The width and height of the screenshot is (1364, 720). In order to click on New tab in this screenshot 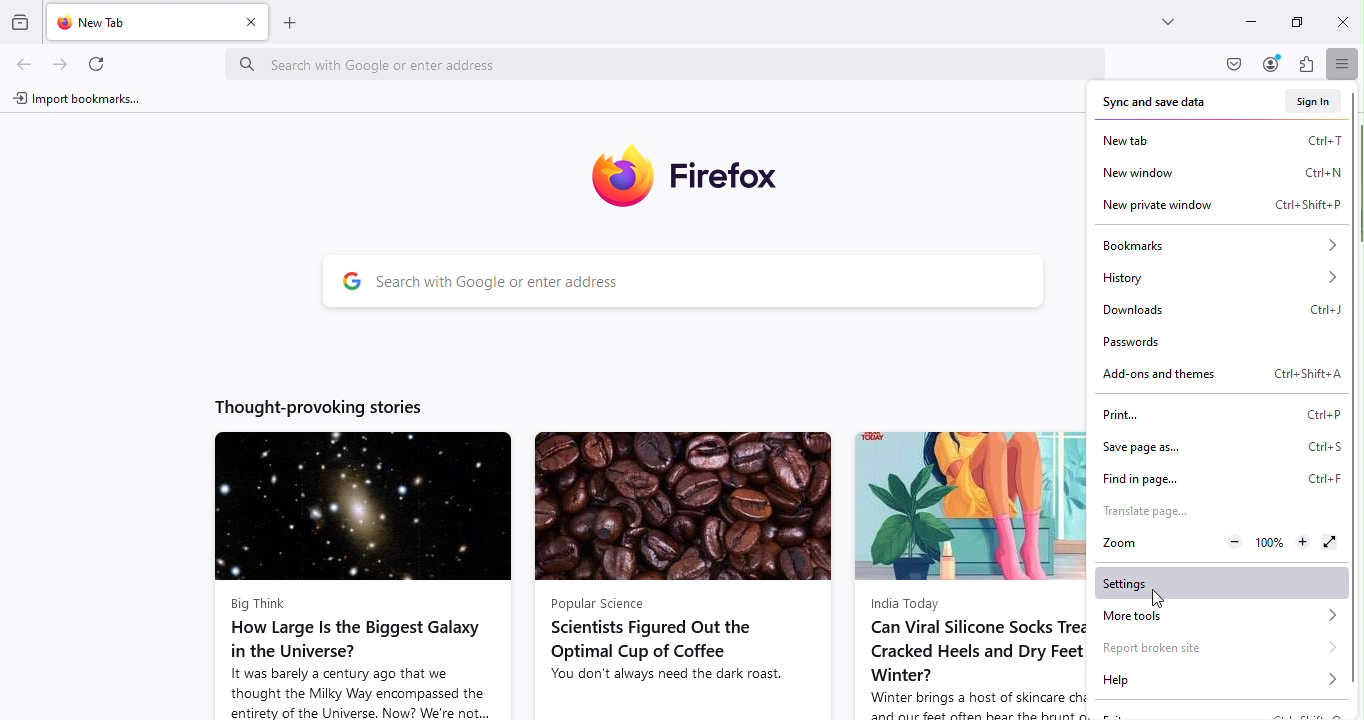, I will do `click(1220, 138)`.